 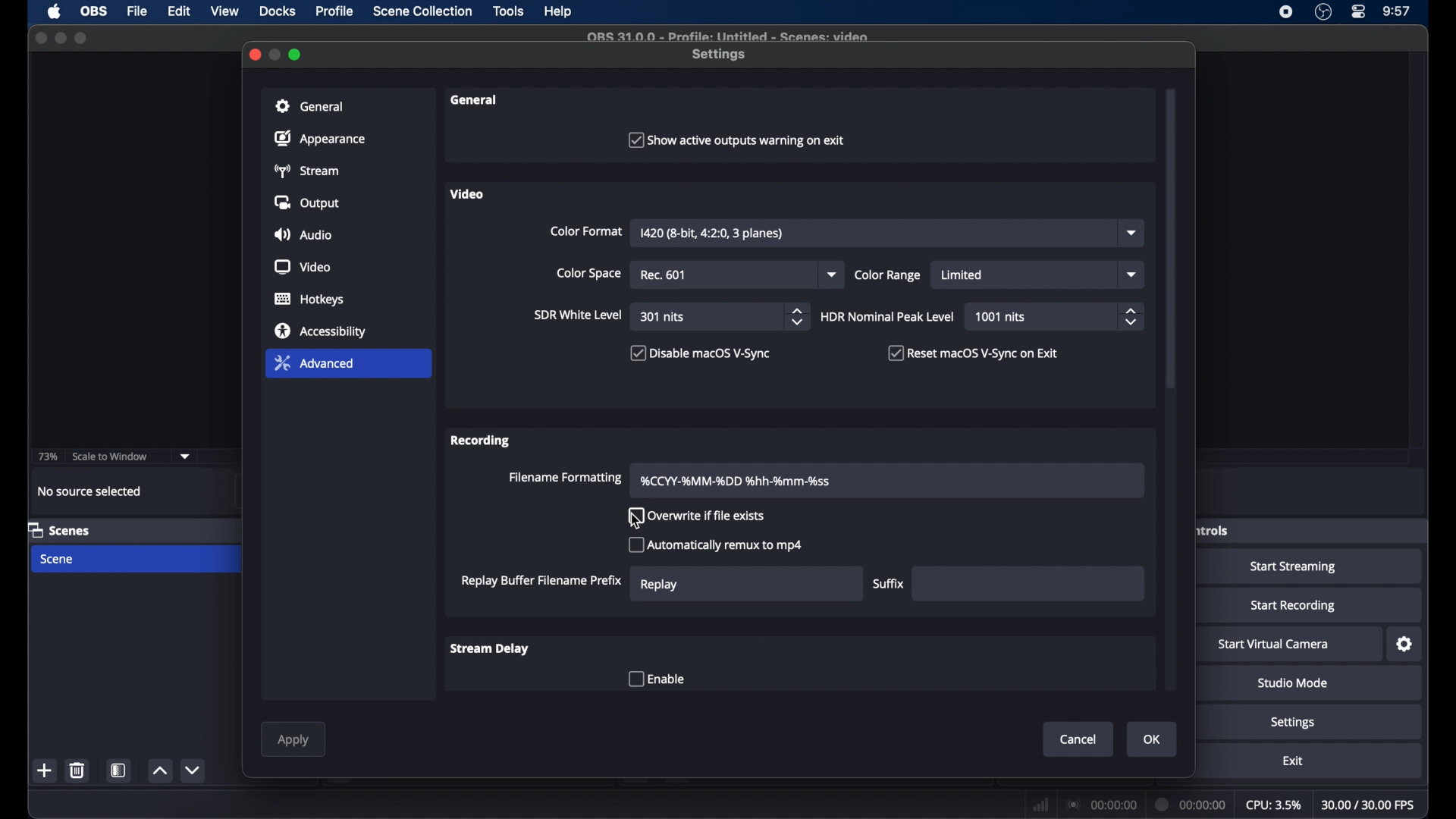 I want to click on color range, so click(x=888, y=275).